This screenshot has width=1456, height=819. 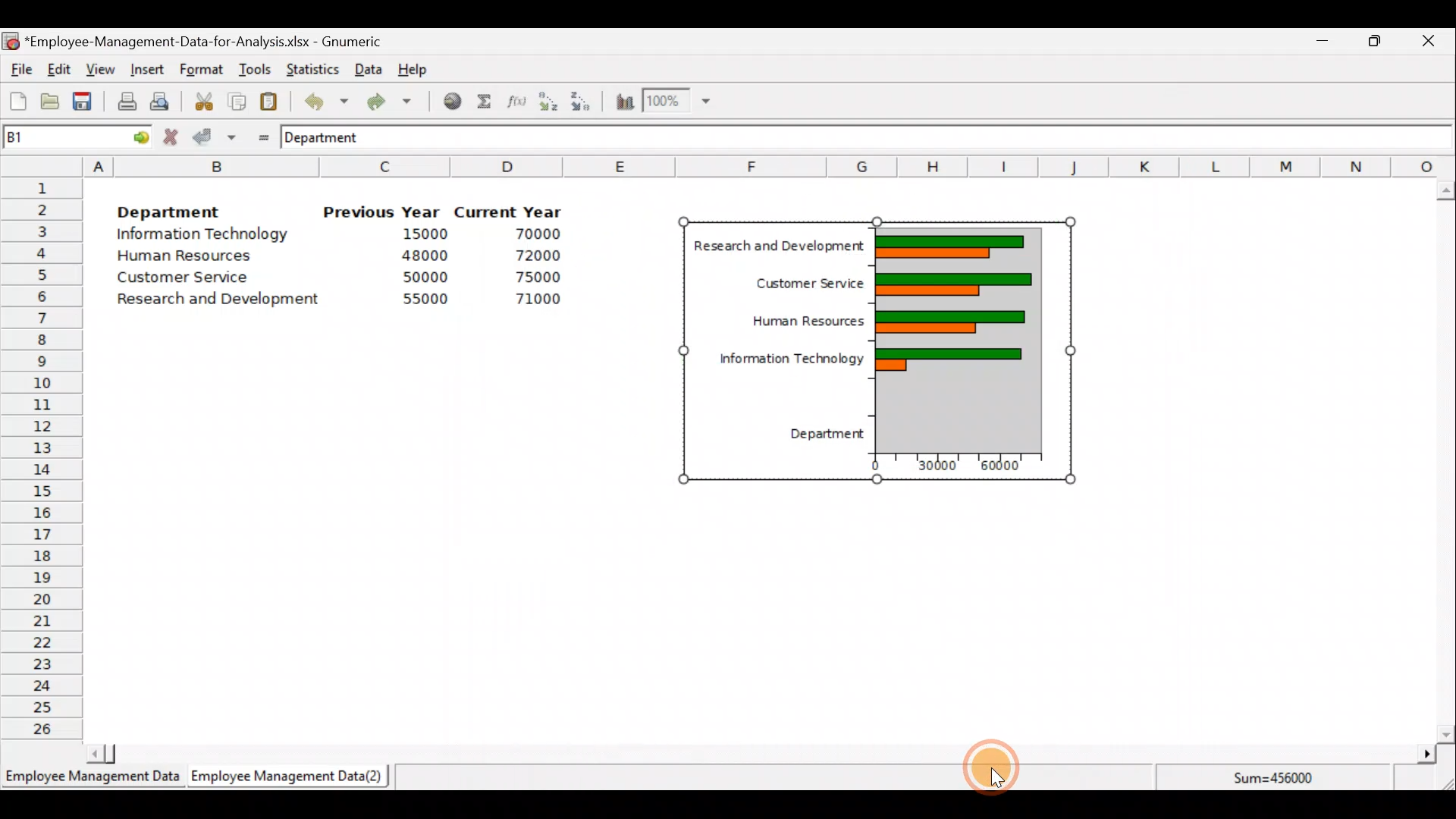 What do you see at coordinates (918, 137) in the screenshot?
I see `Formula bar` at bounding box center [918, 137].